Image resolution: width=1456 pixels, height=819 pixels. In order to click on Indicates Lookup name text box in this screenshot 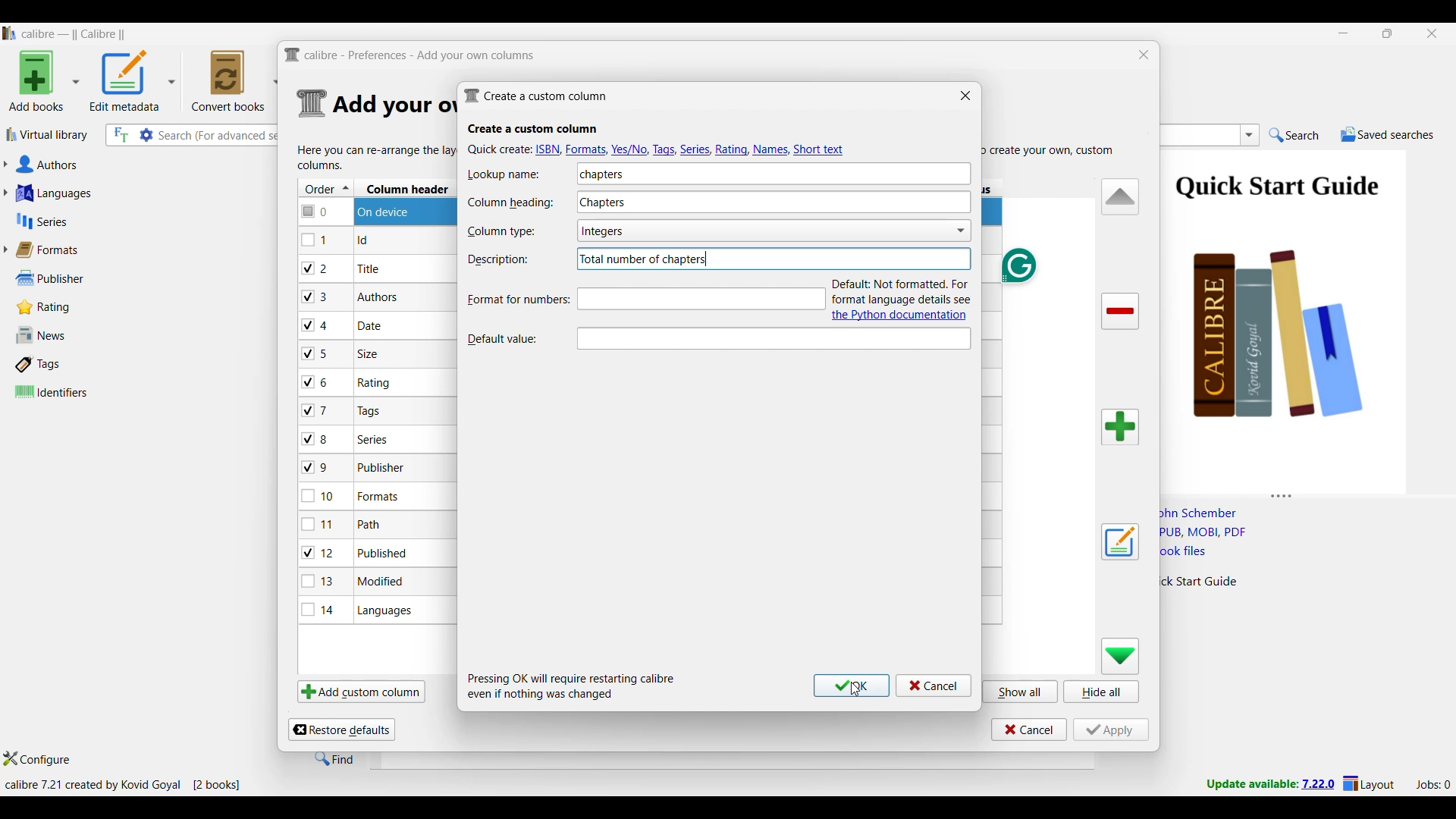, I will do `click(509, 174)`.